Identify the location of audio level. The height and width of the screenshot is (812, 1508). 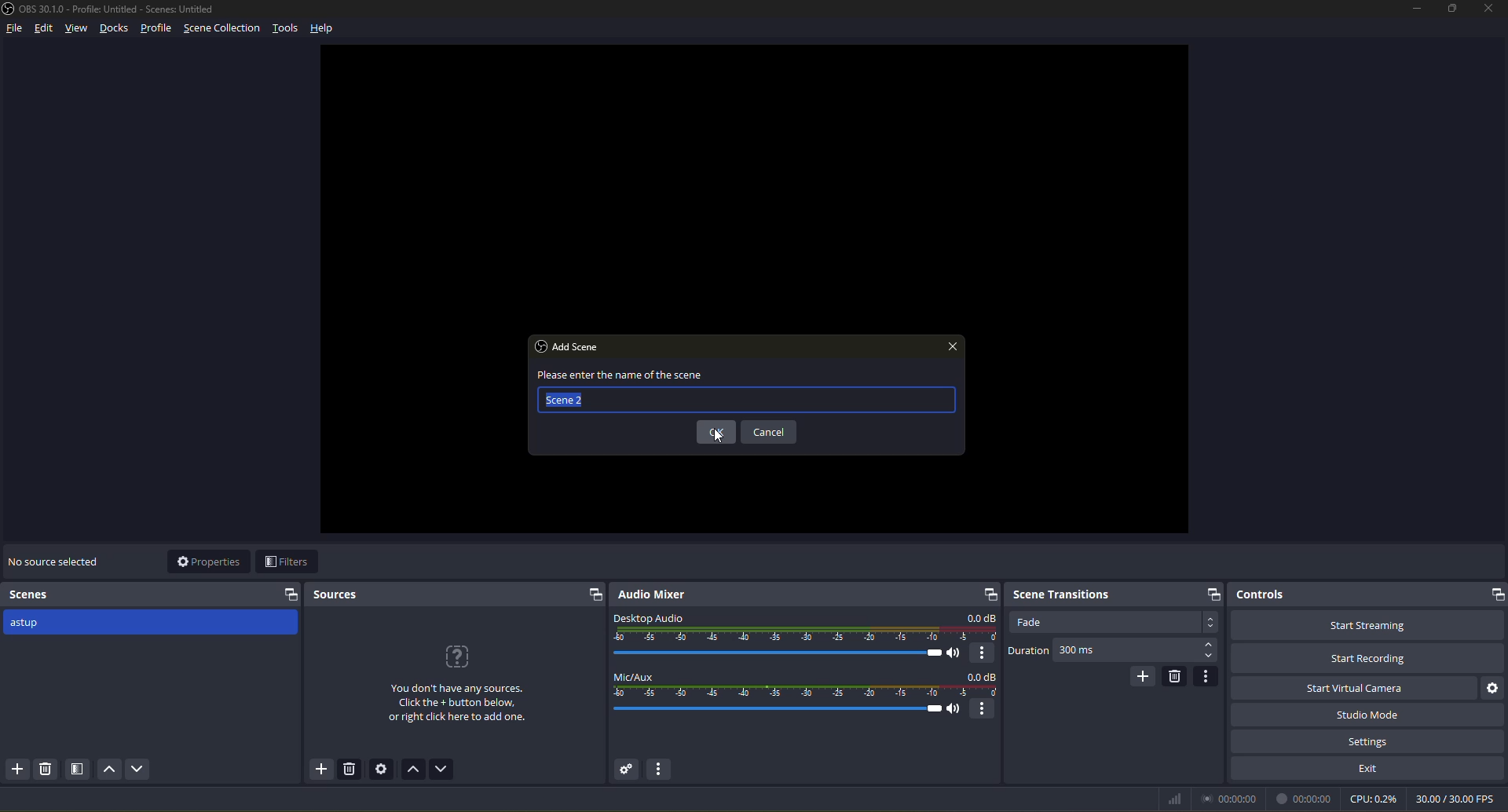
(806, 634).